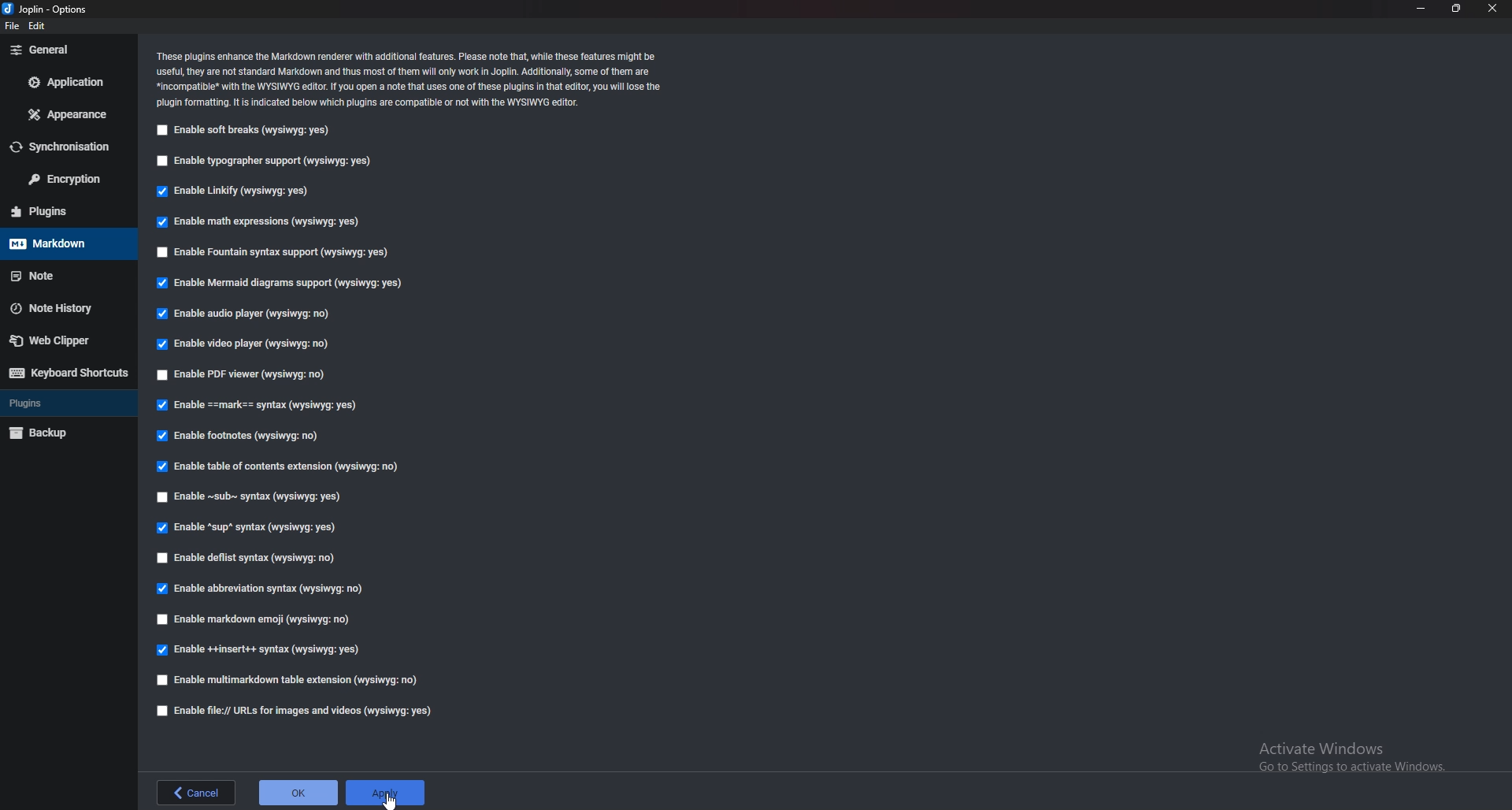 Image resolution: width=1512 pixels, height=810 pixels. I want to click on Enable Mark Syntax, so click(262, 405).